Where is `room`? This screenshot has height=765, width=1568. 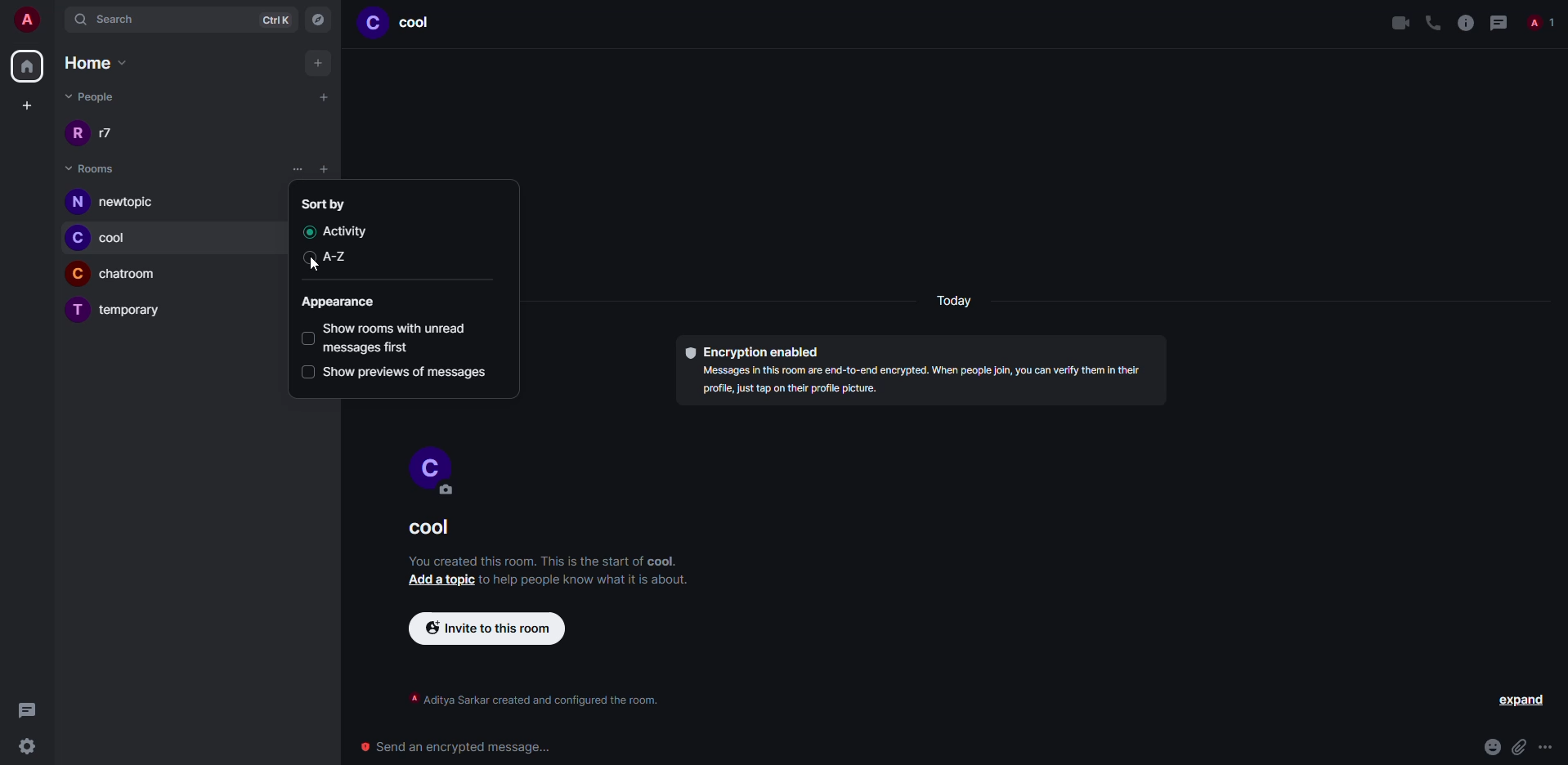
room is located at coordinates (419, 24).